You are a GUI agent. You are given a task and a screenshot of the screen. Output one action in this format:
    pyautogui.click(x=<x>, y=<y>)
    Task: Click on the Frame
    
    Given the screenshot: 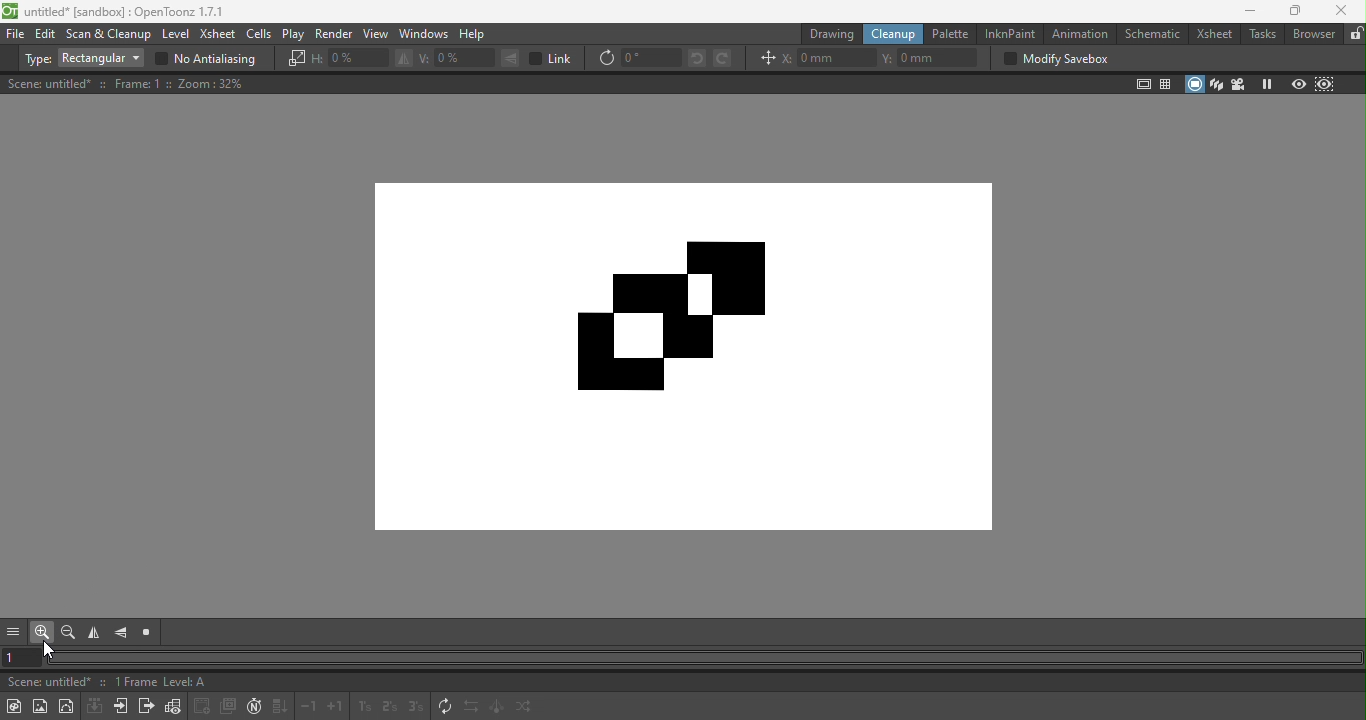 What is the action you would take?
    pyautogui.click(x=143, y=85)
    